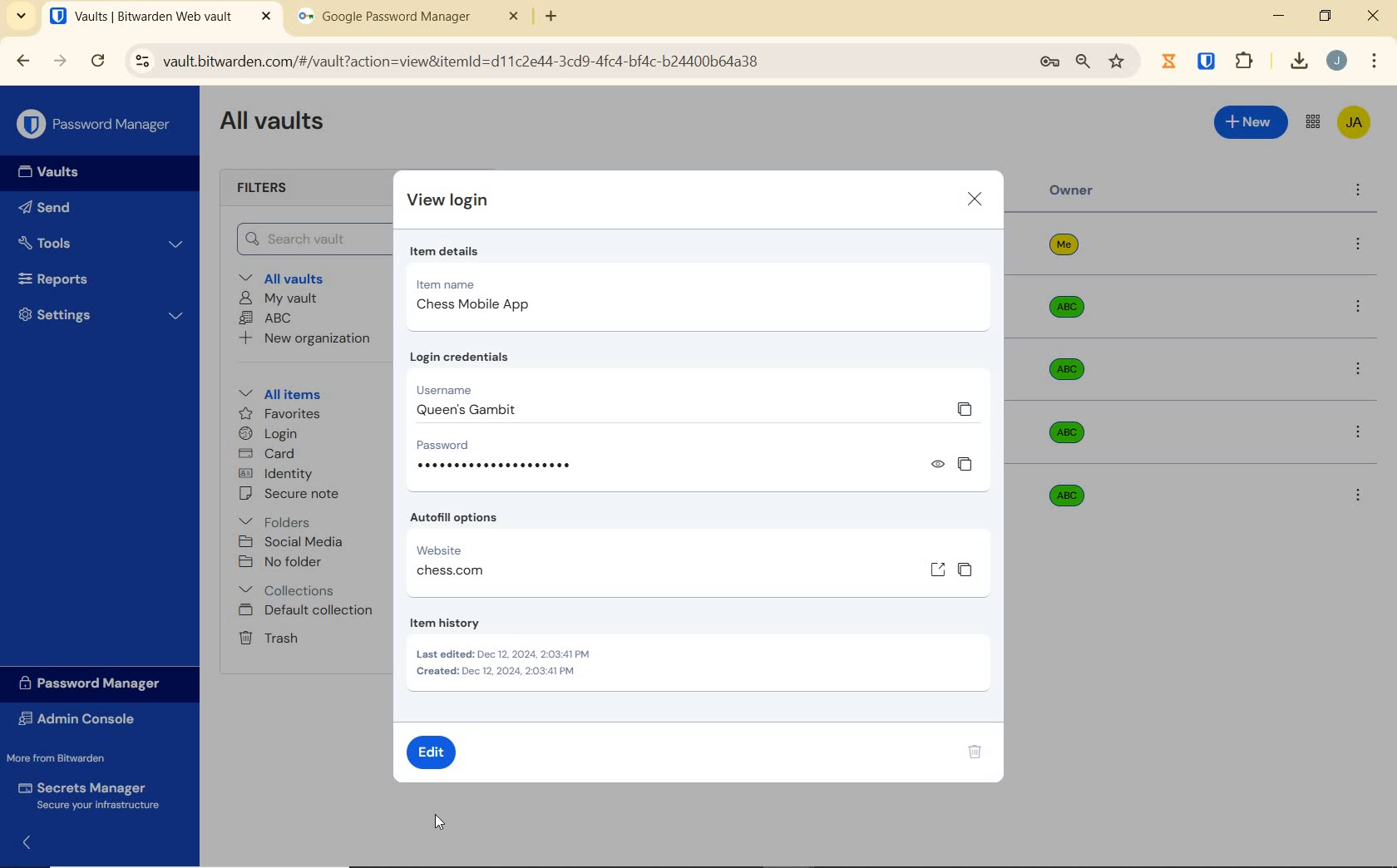 This screenshot has height=868, width=1397. Describe the element at coordinates (1354, 124) in the screenshot. I see `Bitwarden Account` at that location.